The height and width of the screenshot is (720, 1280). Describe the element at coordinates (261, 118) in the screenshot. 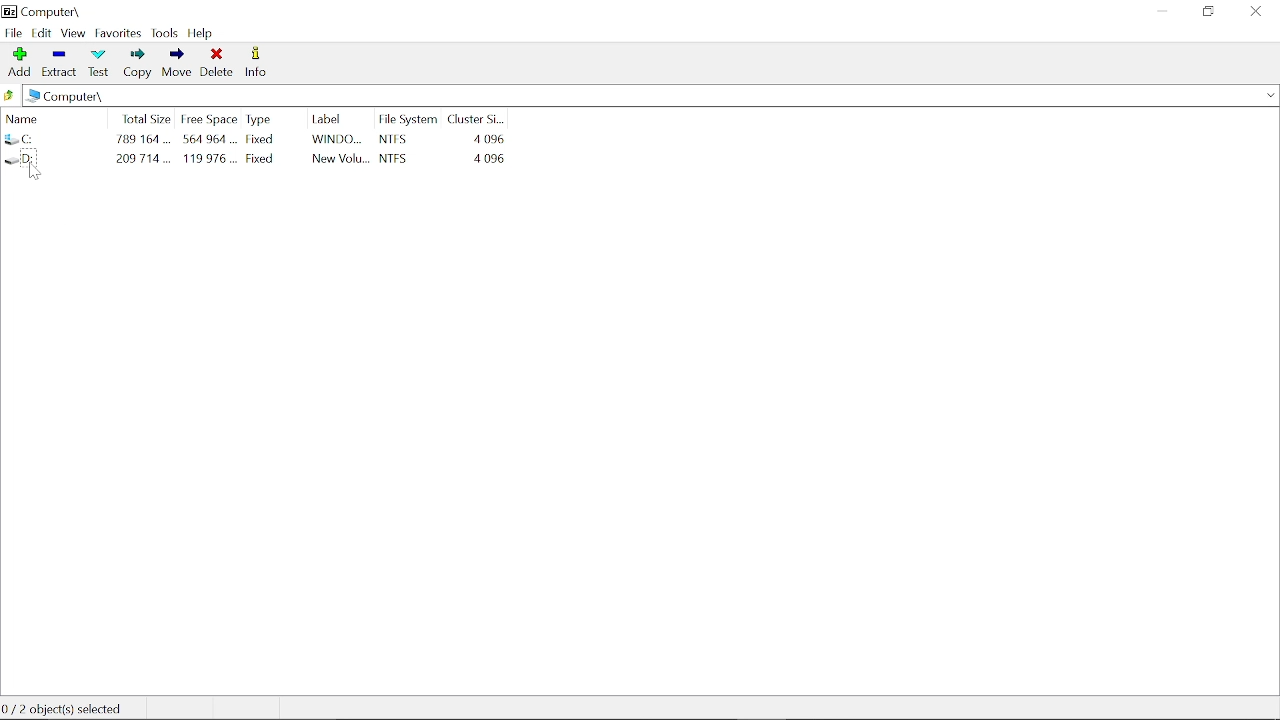

I see `type` at that location.